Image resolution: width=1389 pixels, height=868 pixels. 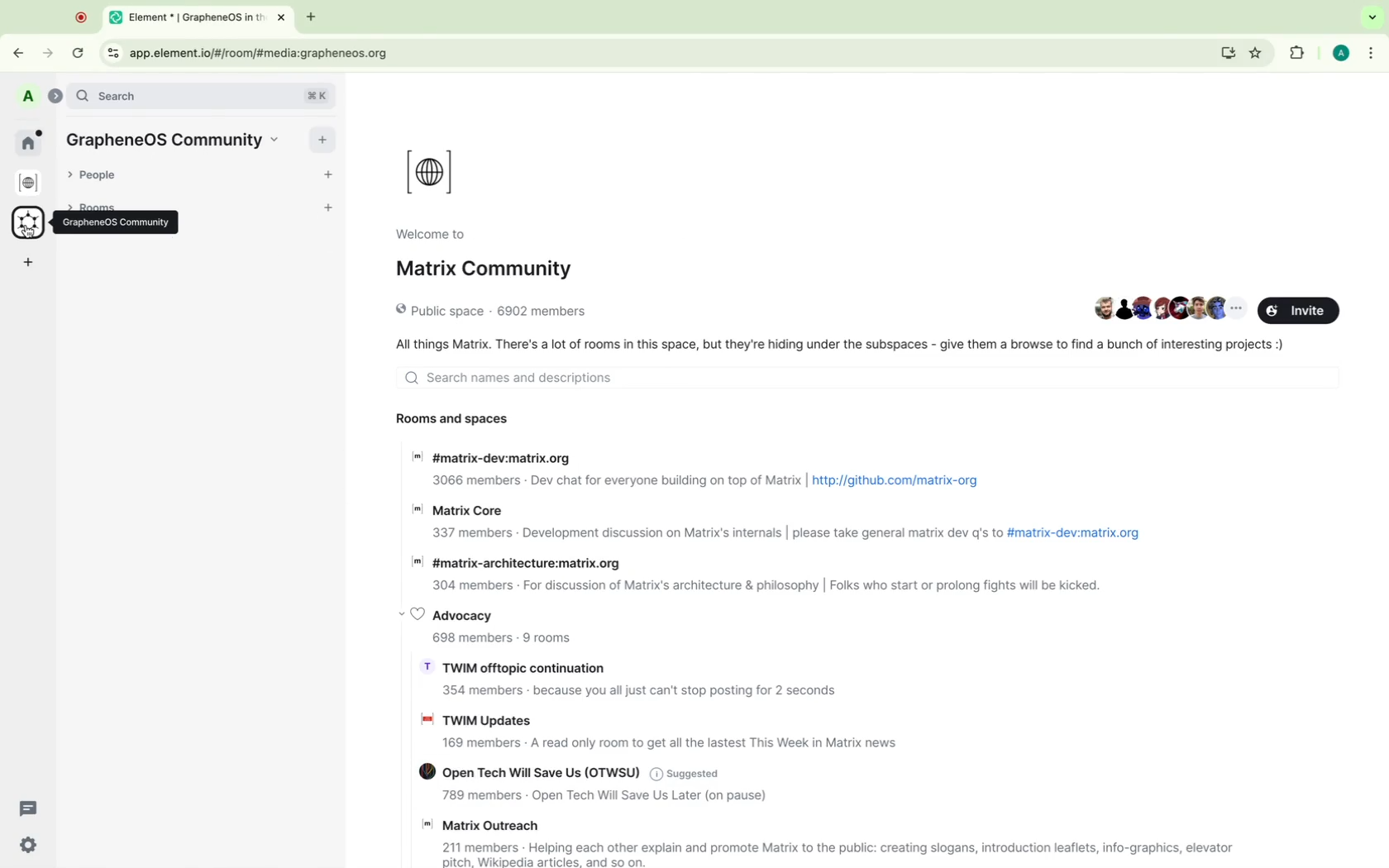 What do you see at coordinates (79, 18) in the screenshot?
I see `recording` at bounding box center [79, 18].